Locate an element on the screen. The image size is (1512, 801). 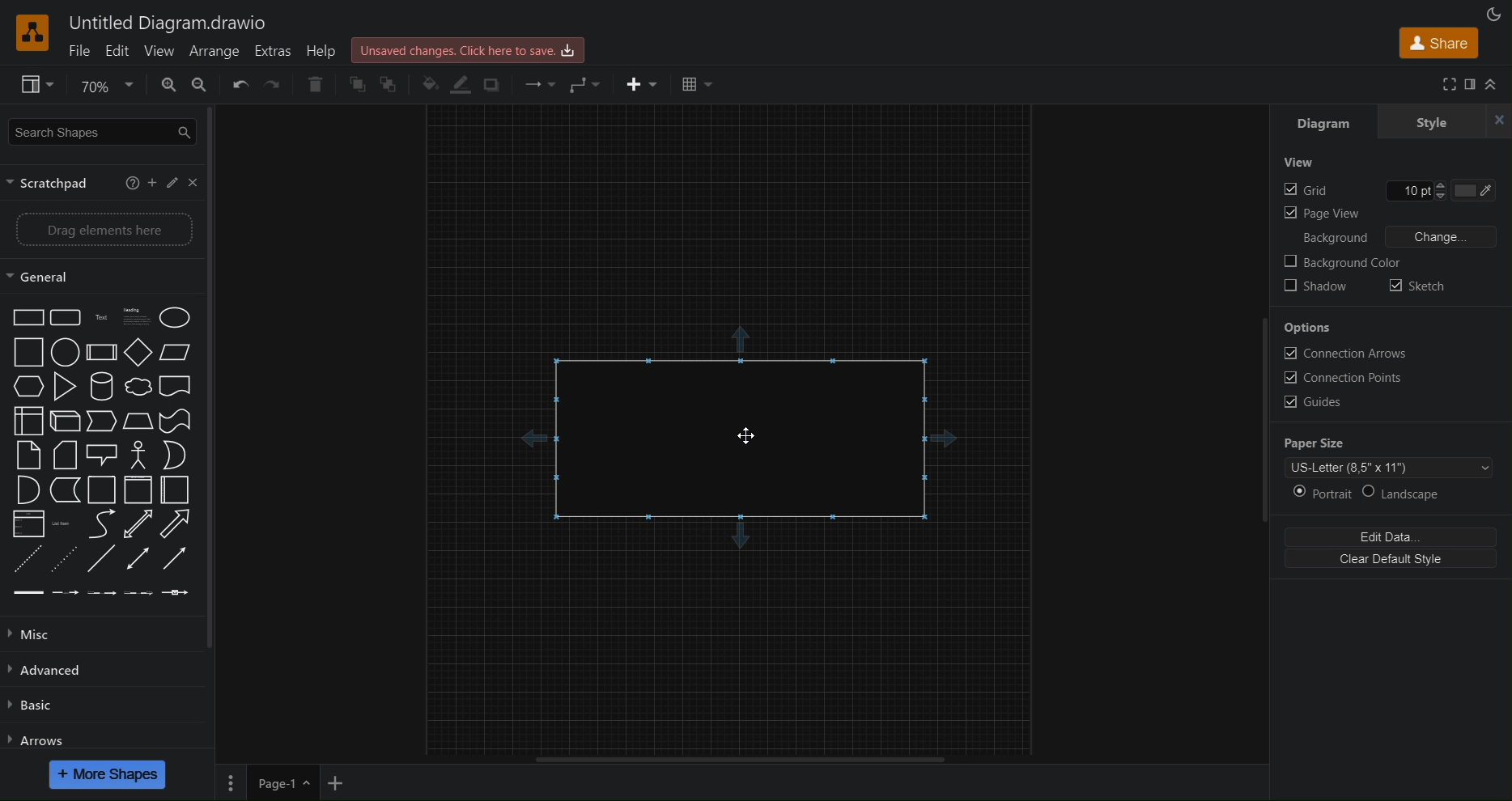
Page 1 is located at coordinates (282, 783).